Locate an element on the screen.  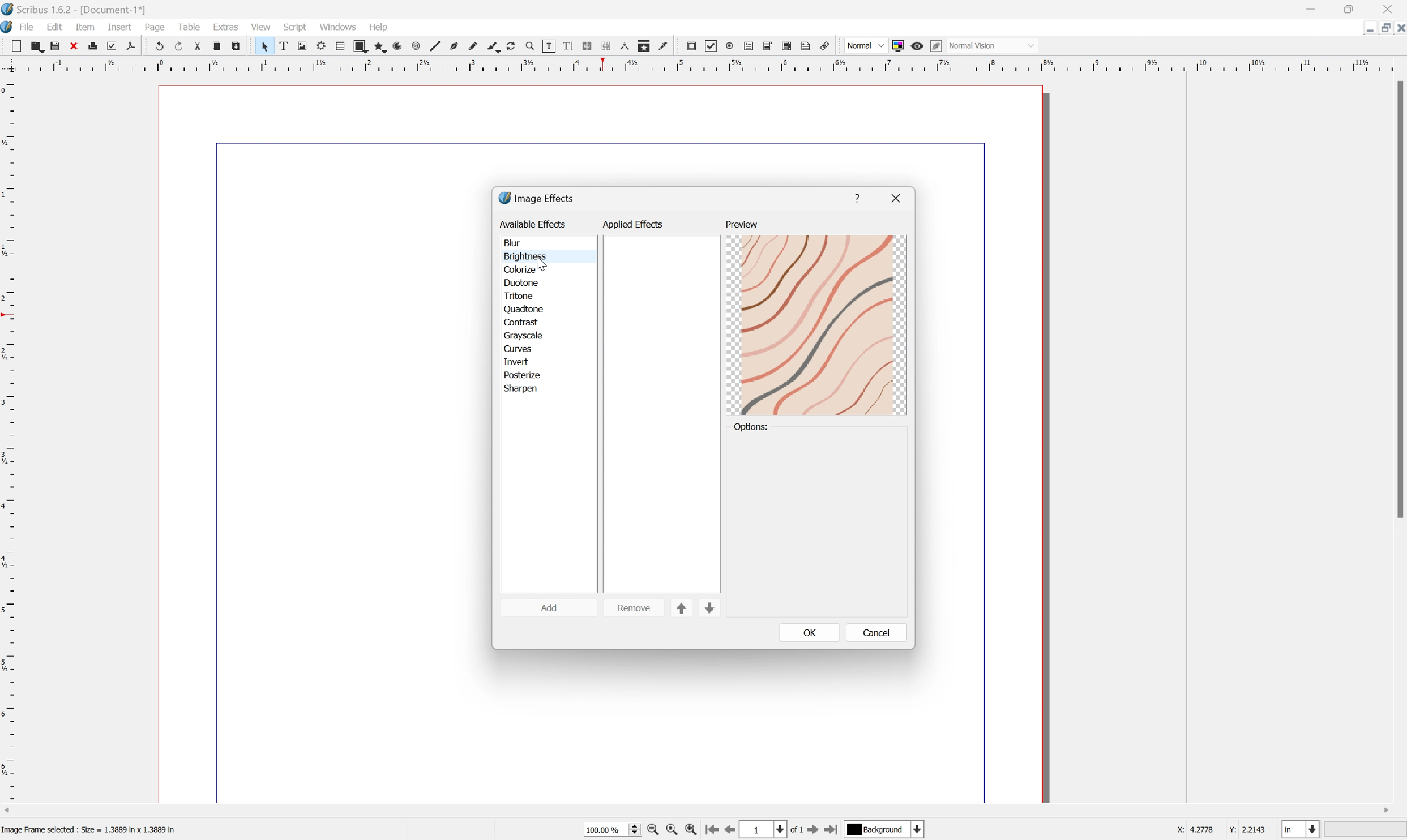
Shape is located at coordinates (362, 45).